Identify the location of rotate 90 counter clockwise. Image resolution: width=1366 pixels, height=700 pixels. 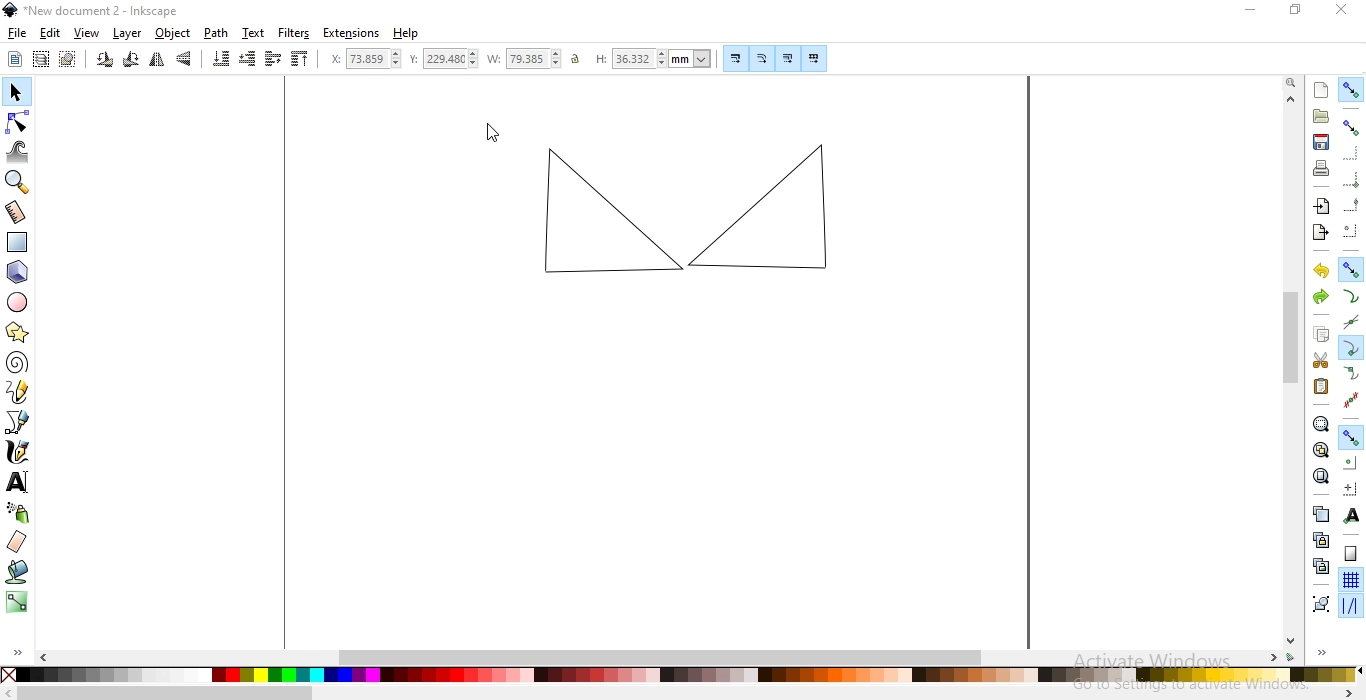
(104, 60).